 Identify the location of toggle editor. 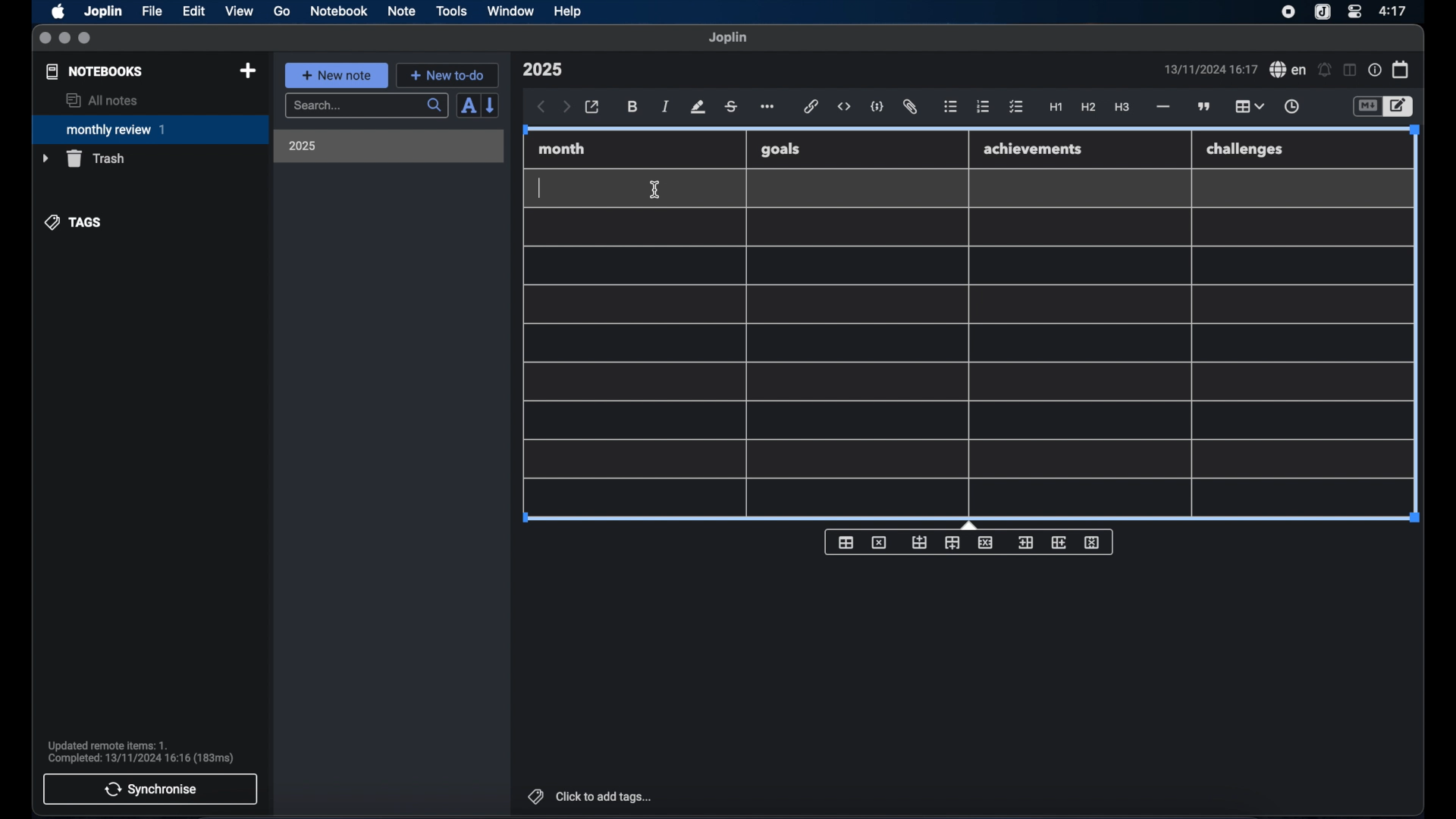
(1367, 107).